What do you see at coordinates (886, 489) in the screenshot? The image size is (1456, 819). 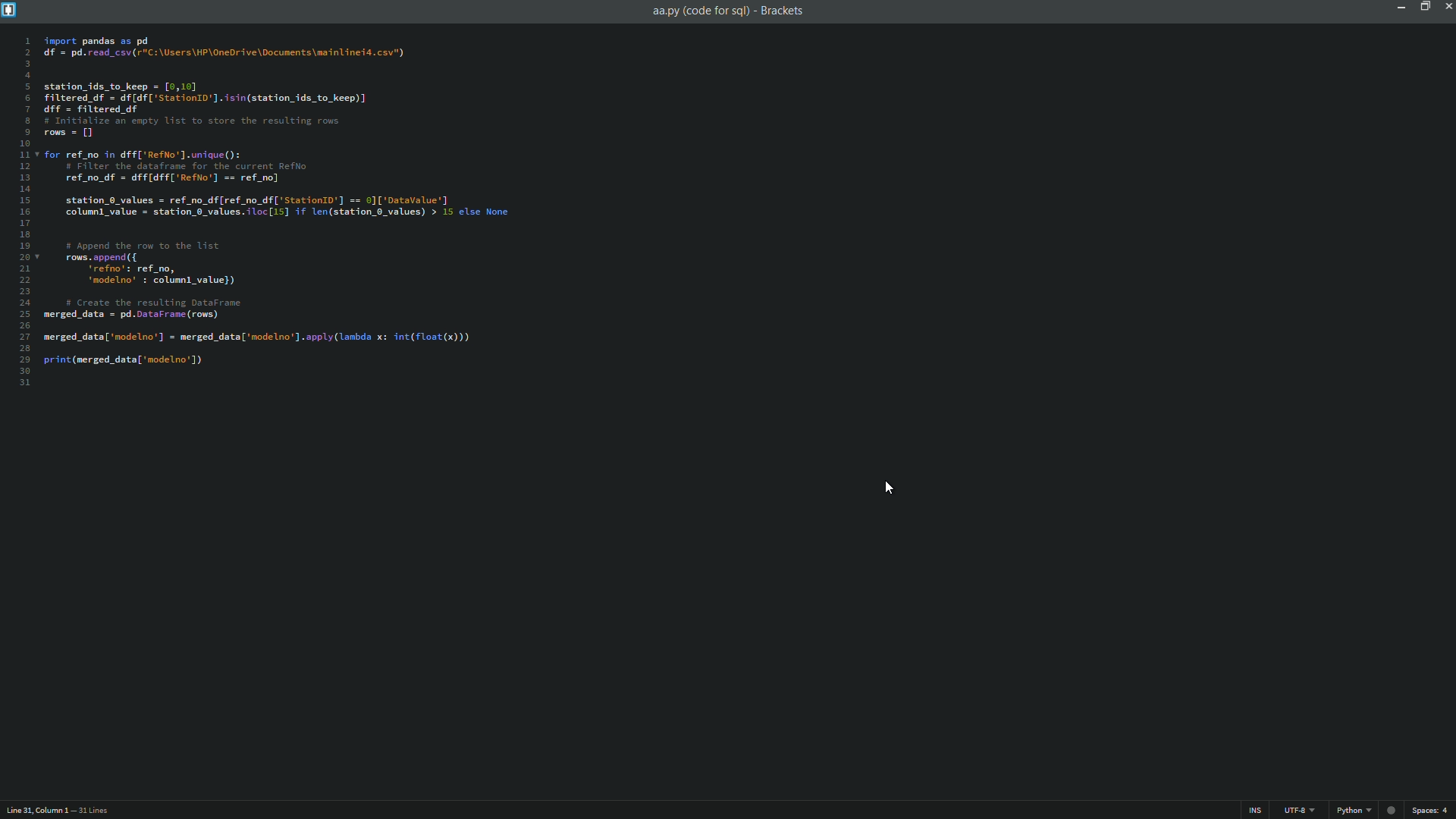 I see `cursor` at bounding box center [886, 489].